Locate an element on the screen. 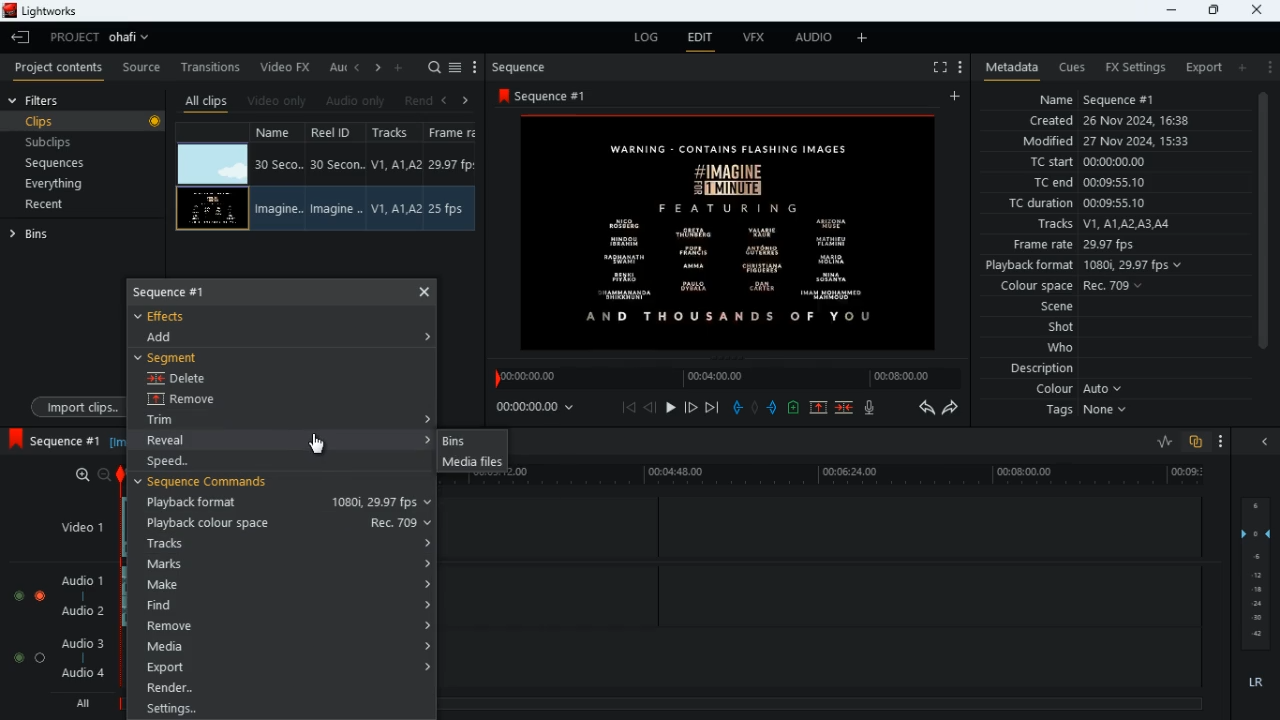 Image resolution: width=1280 pixels, height=720 pixels. tags is located at coordinates (1083, 416).